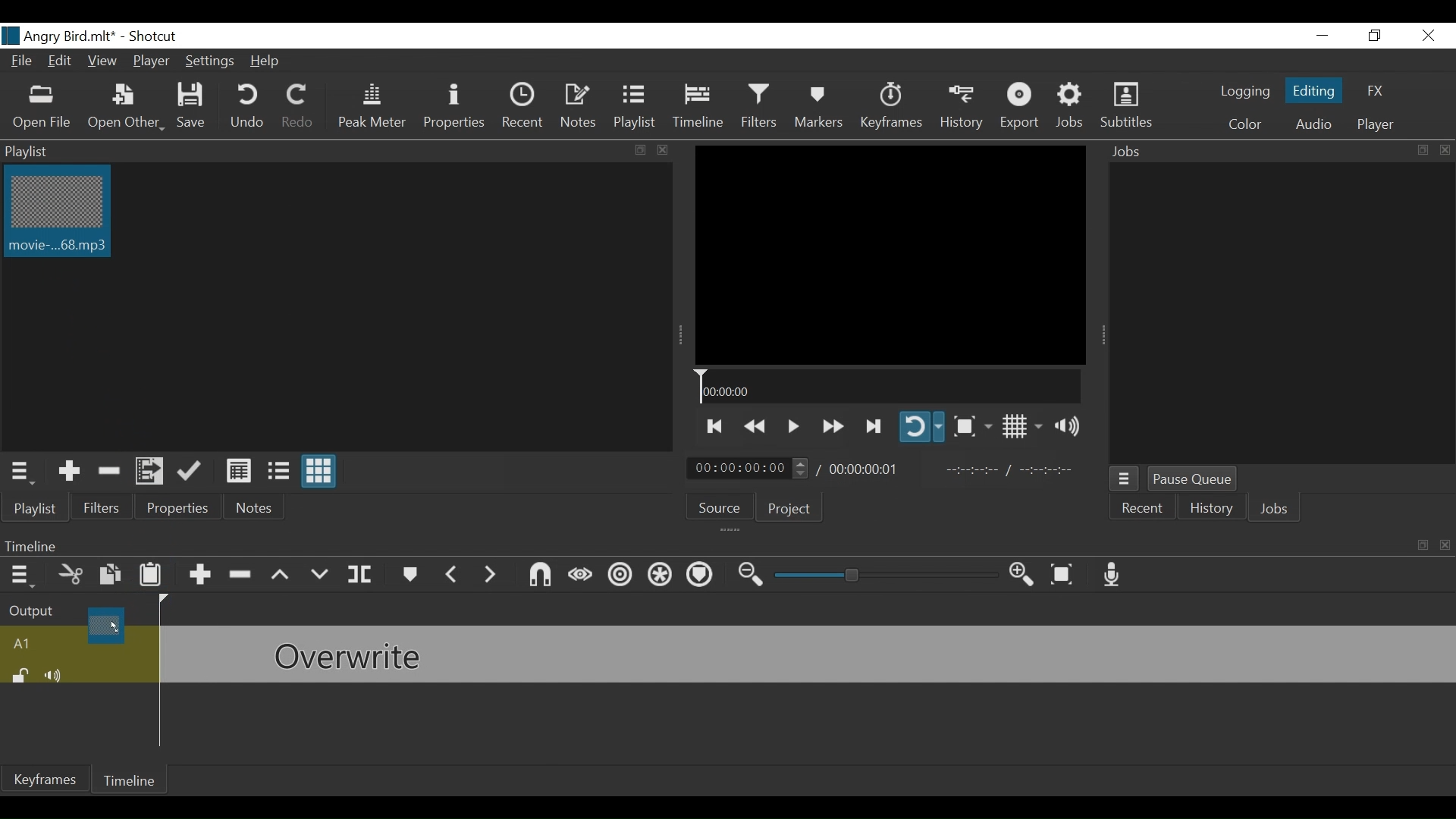 The image size is (1456, 819). I want to click on Remove Cut, so click(110, 472).